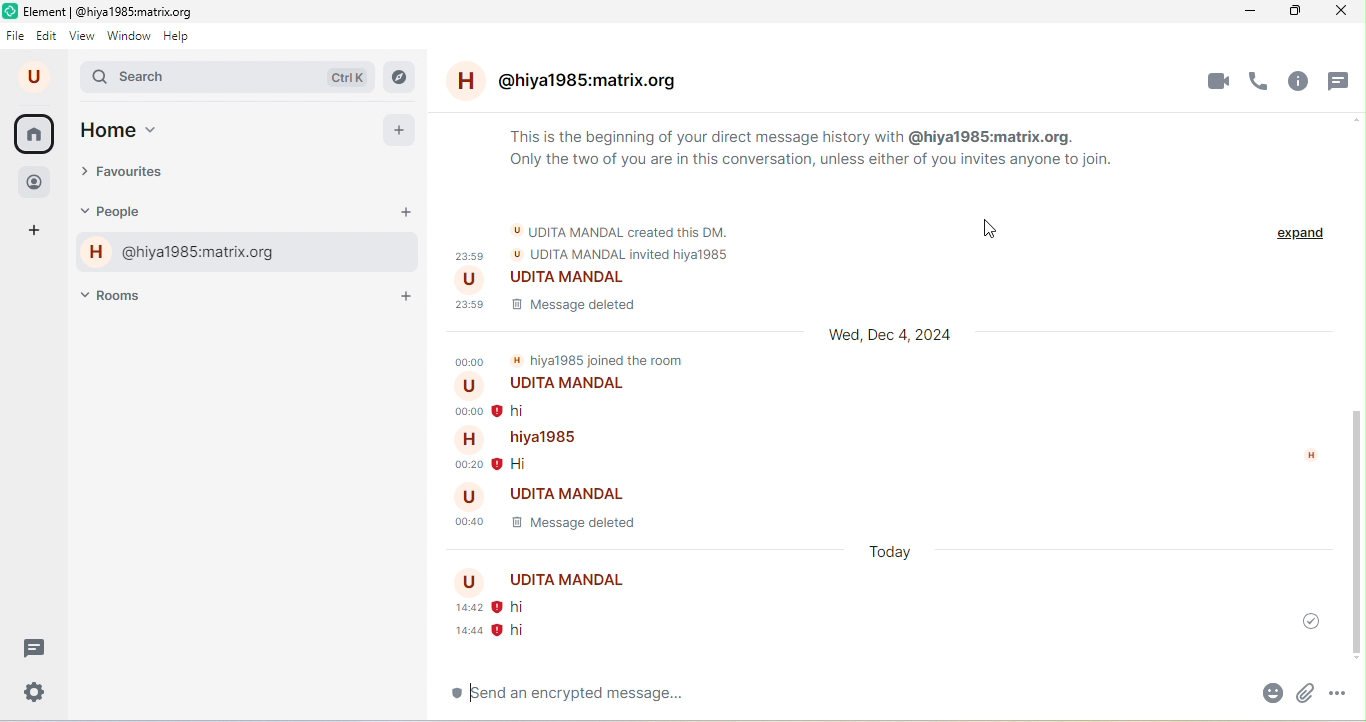  I want to click on more option, so click(1346, 694).